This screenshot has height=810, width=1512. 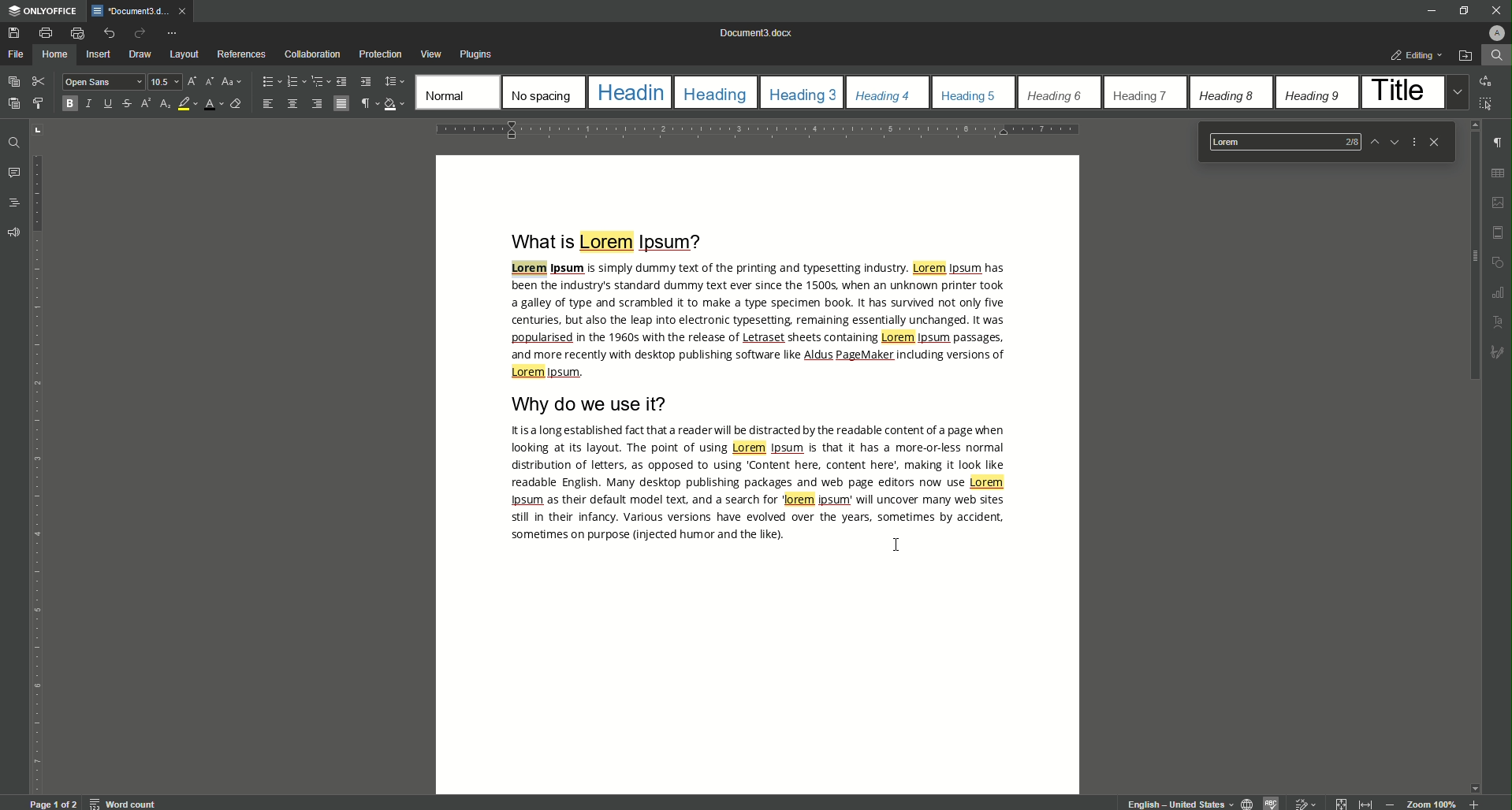 What do you see at coordinates (1431, 804) in the screenshot?
I see `Zoom 100%` at bounding box center [1431, 804].